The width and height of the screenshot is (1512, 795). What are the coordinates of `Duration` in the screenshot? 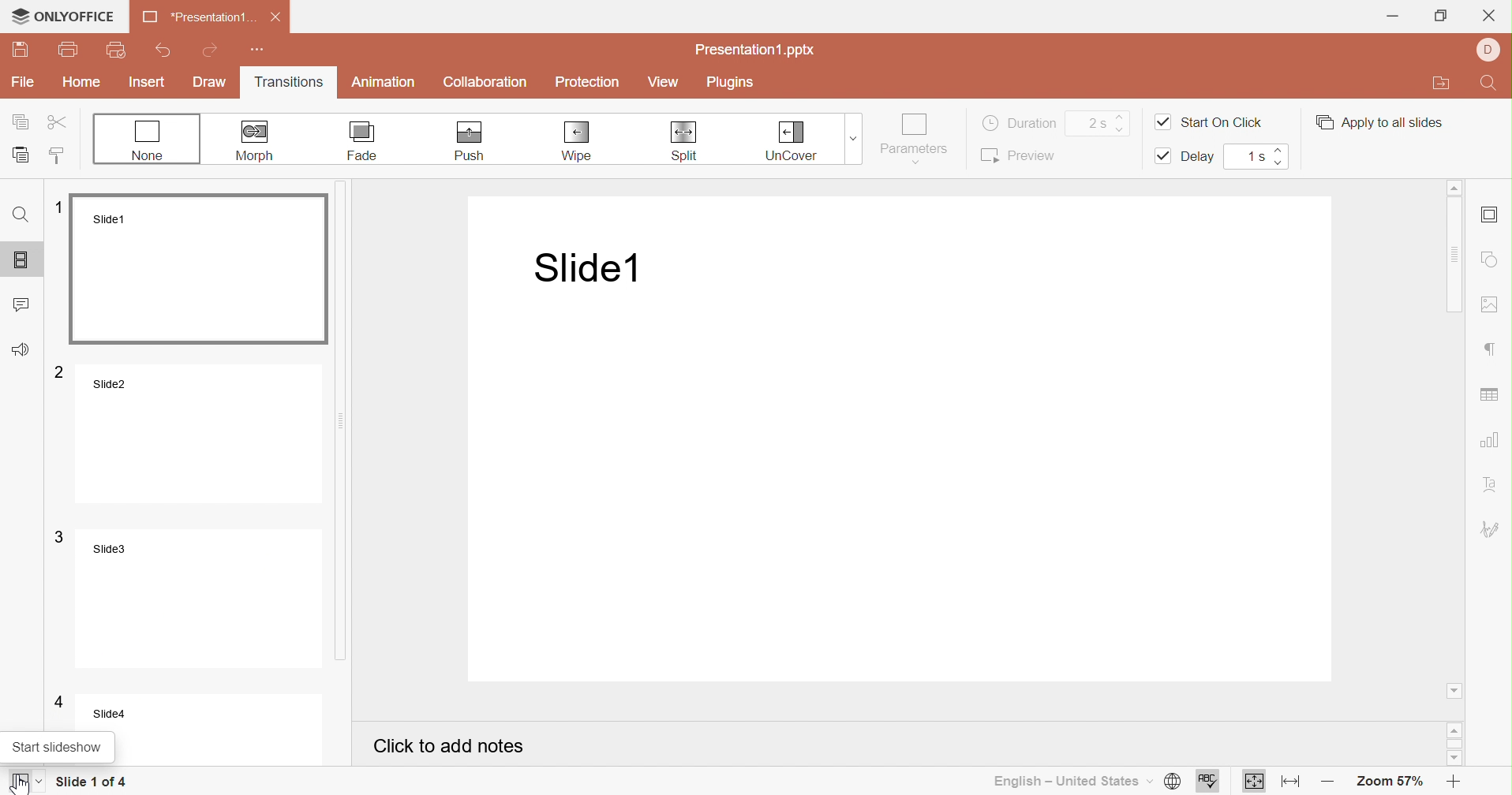 It's located at (1020, 121).